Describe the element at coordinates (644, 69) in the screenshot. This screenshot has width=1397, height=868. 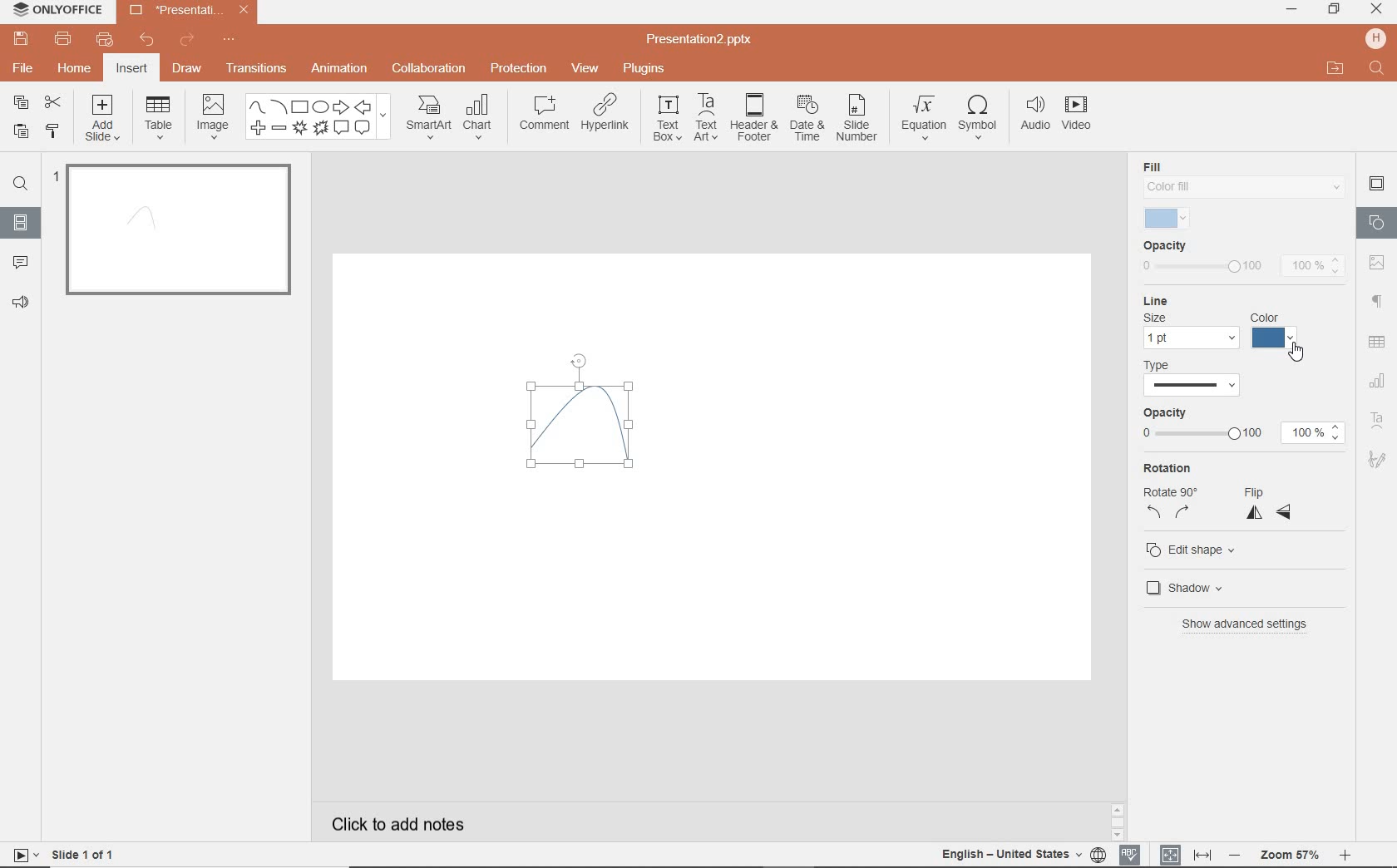
I see `PLUGINS` at that location.